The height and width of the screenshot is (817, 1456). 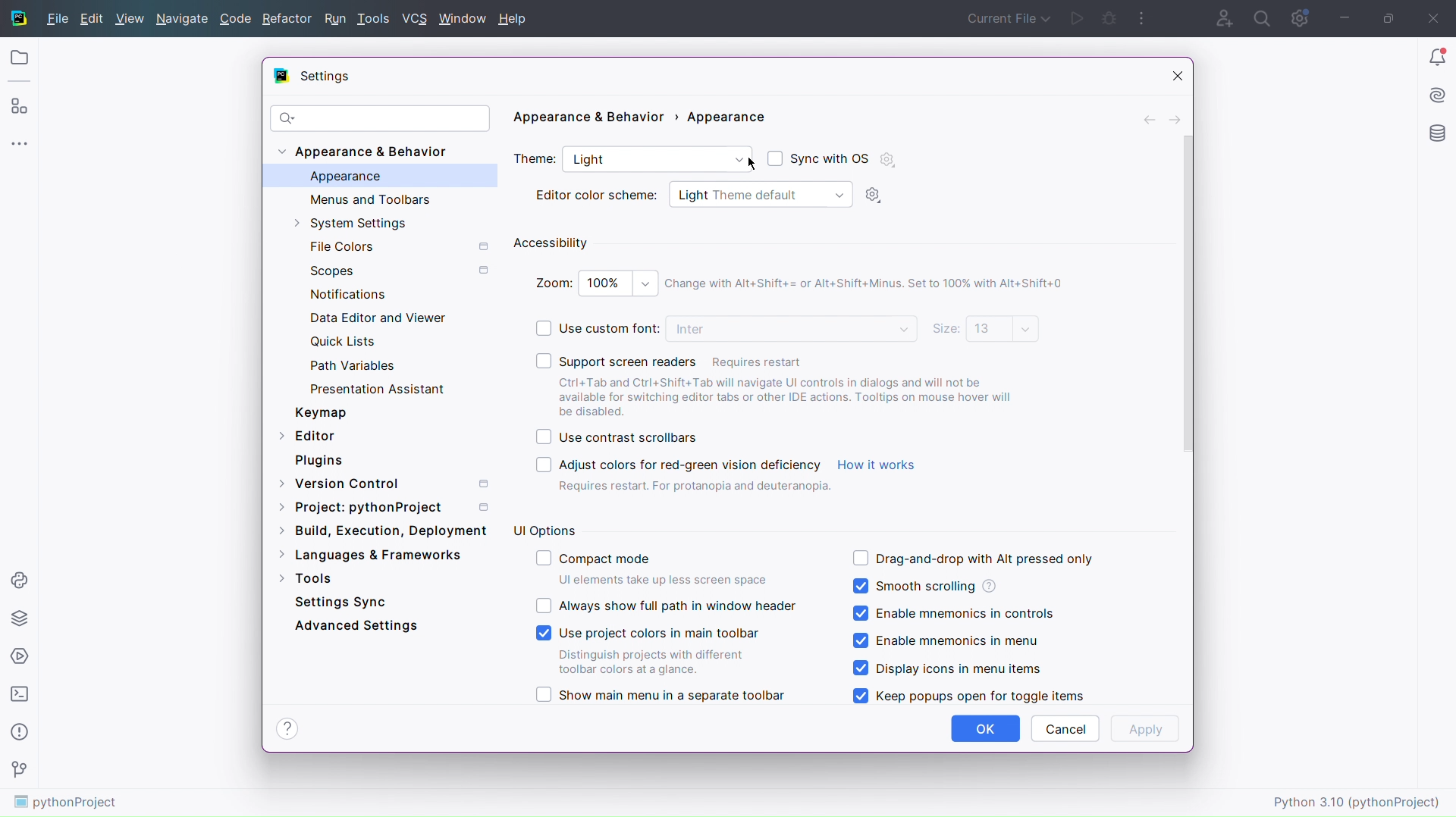 I want to click on Check Bugs, so click(x=1110, y=17).